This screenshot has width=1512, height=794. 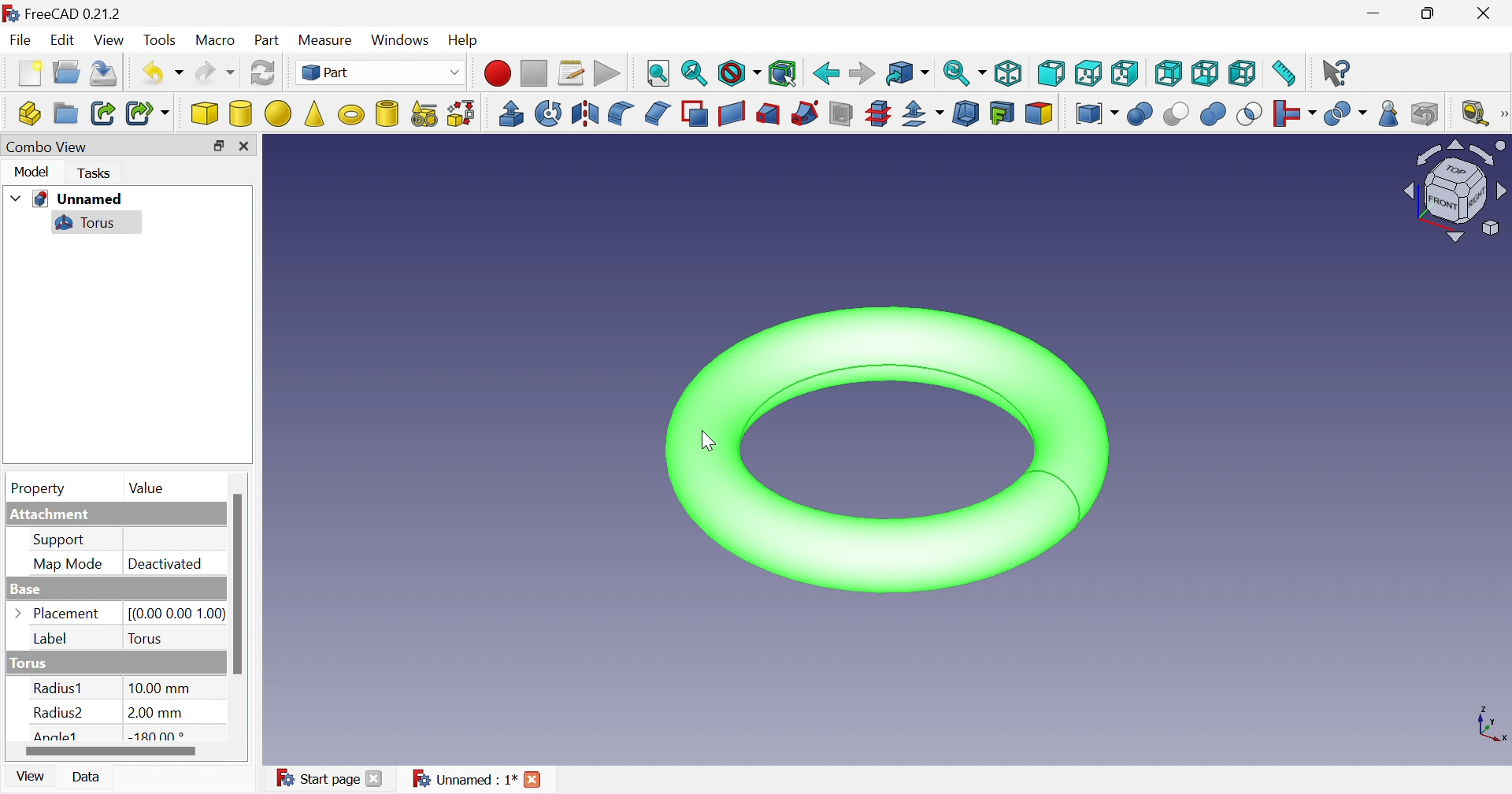 What do you see at coordinates (1344, 114) in the screenshot?
I see `Split objects` at bounding box center [1344, 114].